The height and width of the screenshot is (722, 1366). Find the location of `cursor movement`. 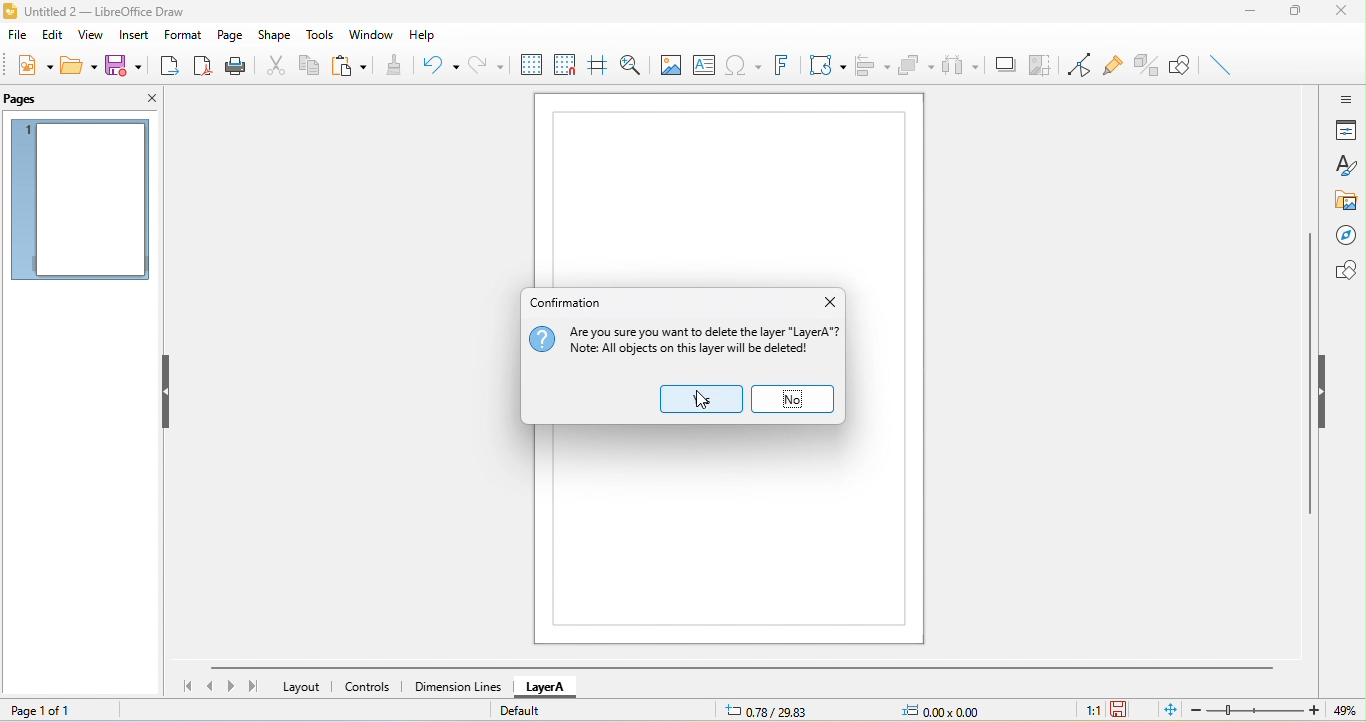

cursor movement is located at coordinates (701, 400).